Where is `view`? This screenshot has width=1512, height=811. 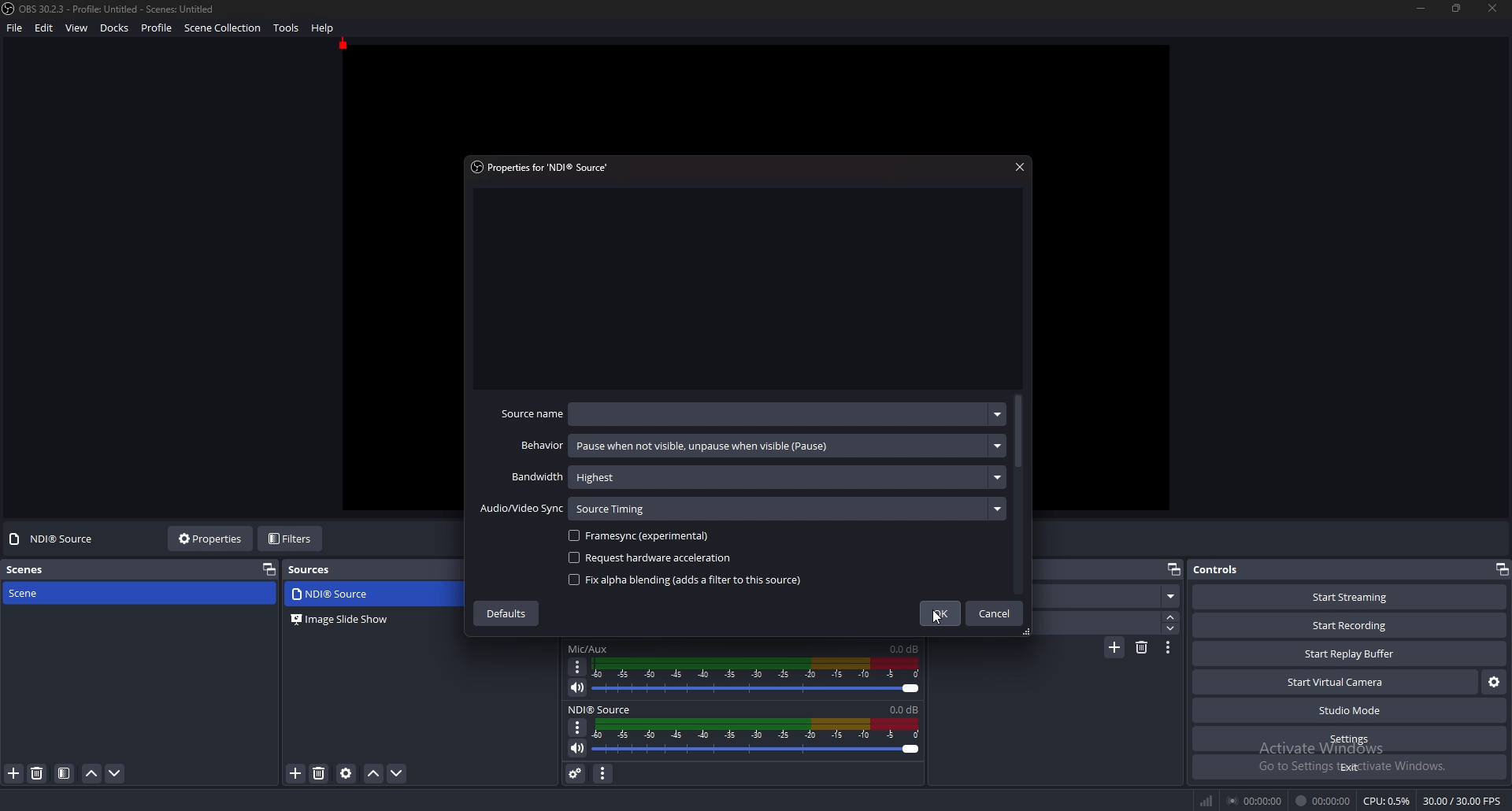
view is located at coordinates (78, 28).